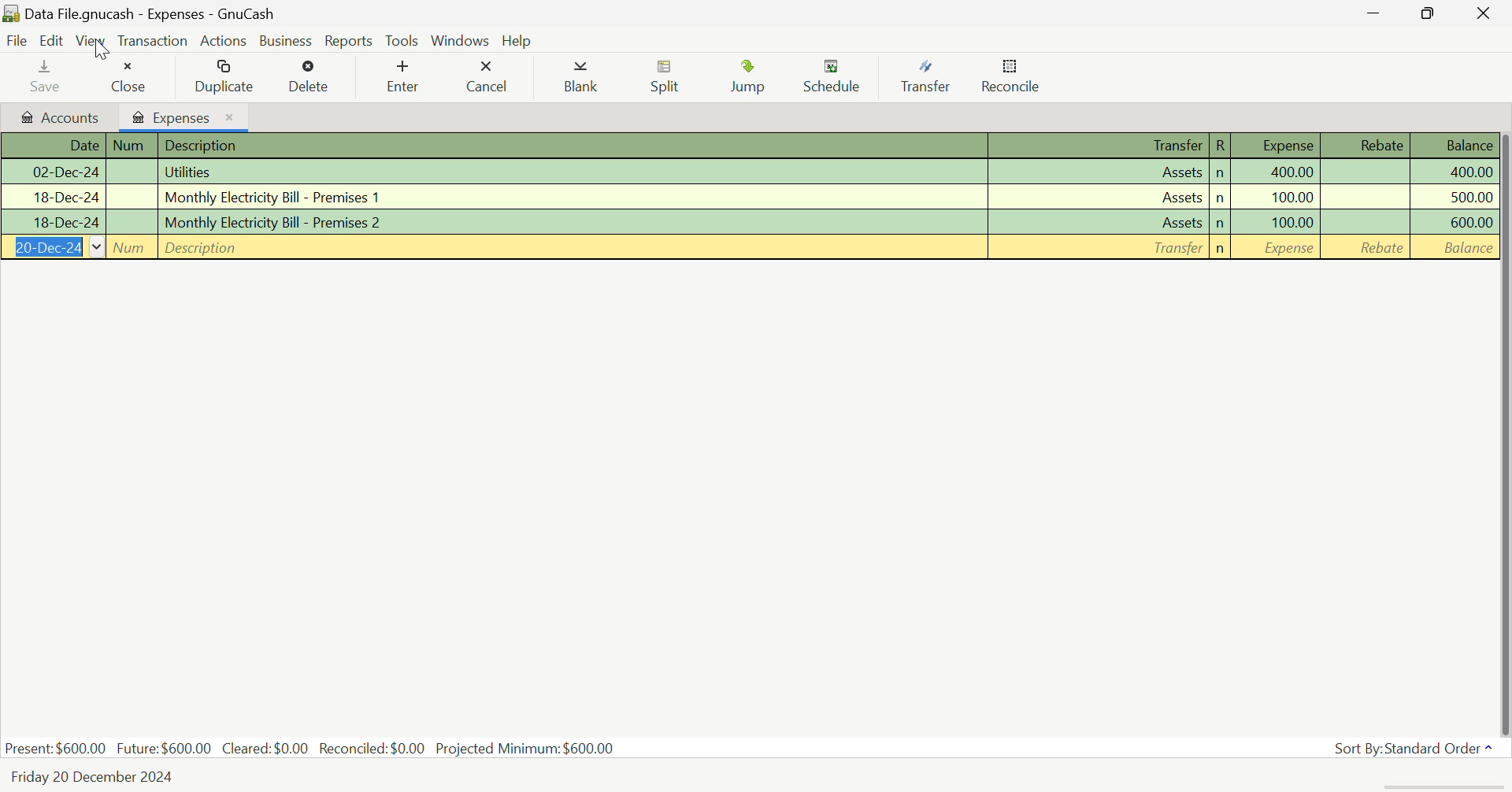 The width and height of the screenshot is (1512, 792). What do you see at coordinates (931, 77) in the screenshot?
I see `Transfer` at bounding box center [931, 77].